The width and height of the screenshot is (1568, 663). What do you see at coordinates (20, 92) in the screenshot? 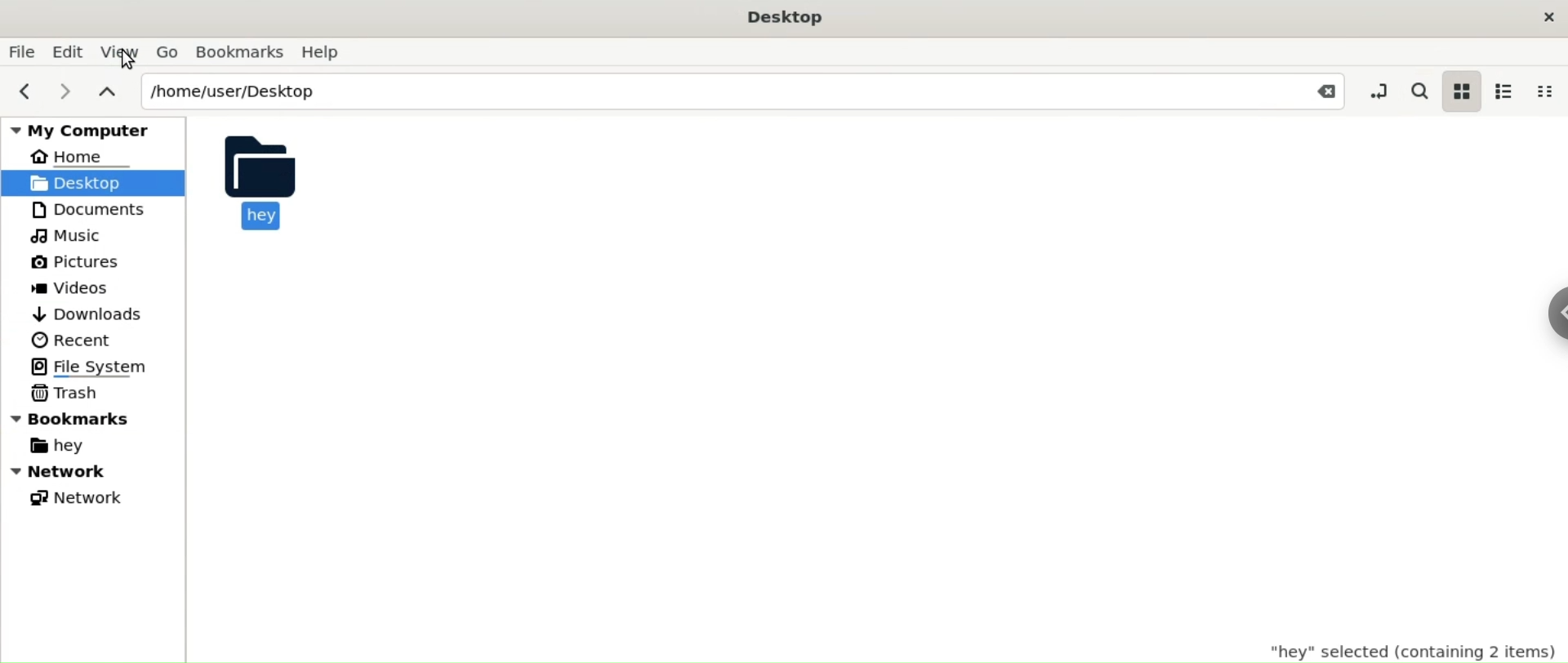
I see `previous` at bounding box center [20, 92].